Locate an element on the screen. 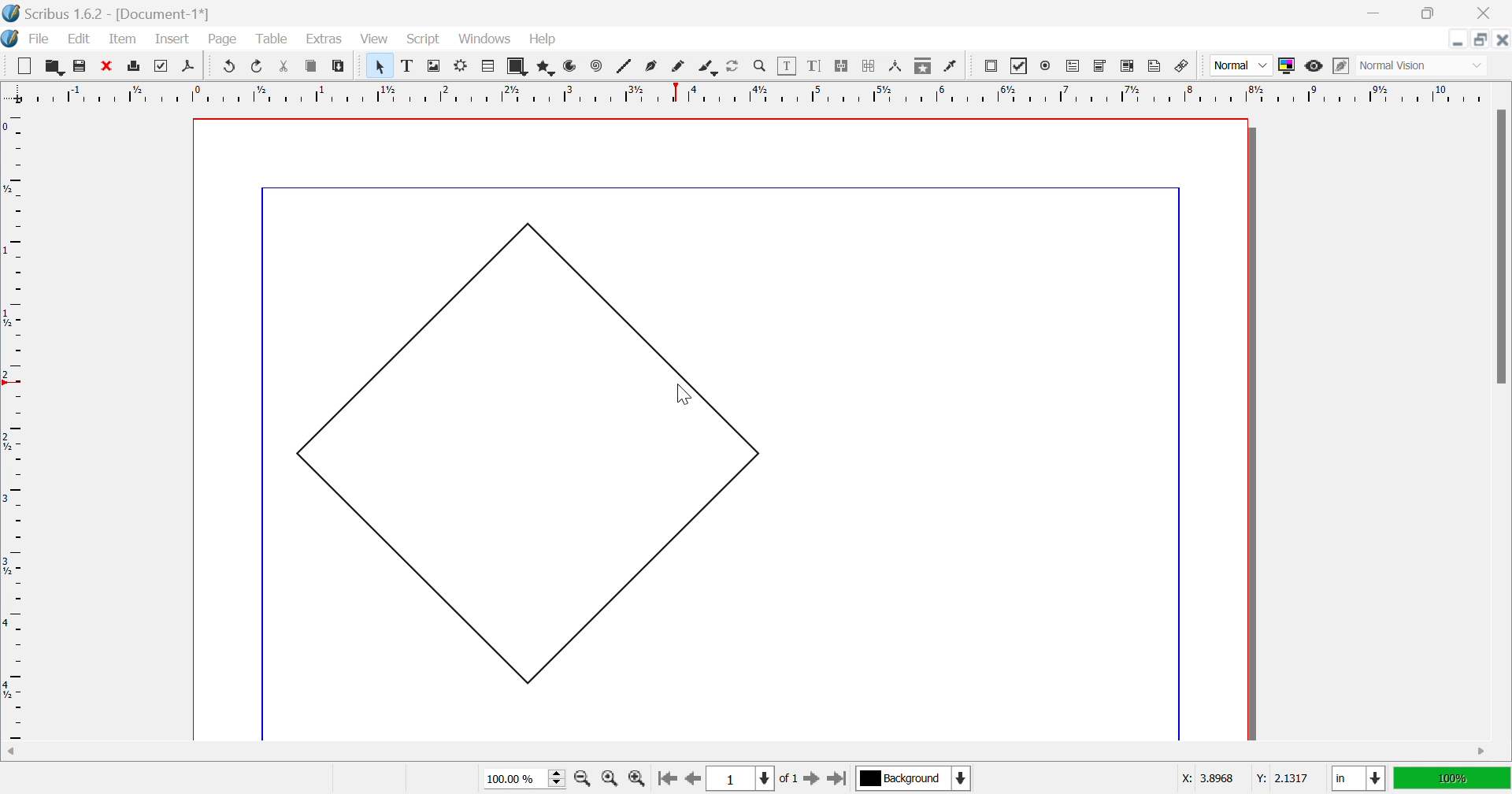 Image resolution: width=1512 pixels, height=794 pixels. Bezler curve is located at coordinates (653, 65).